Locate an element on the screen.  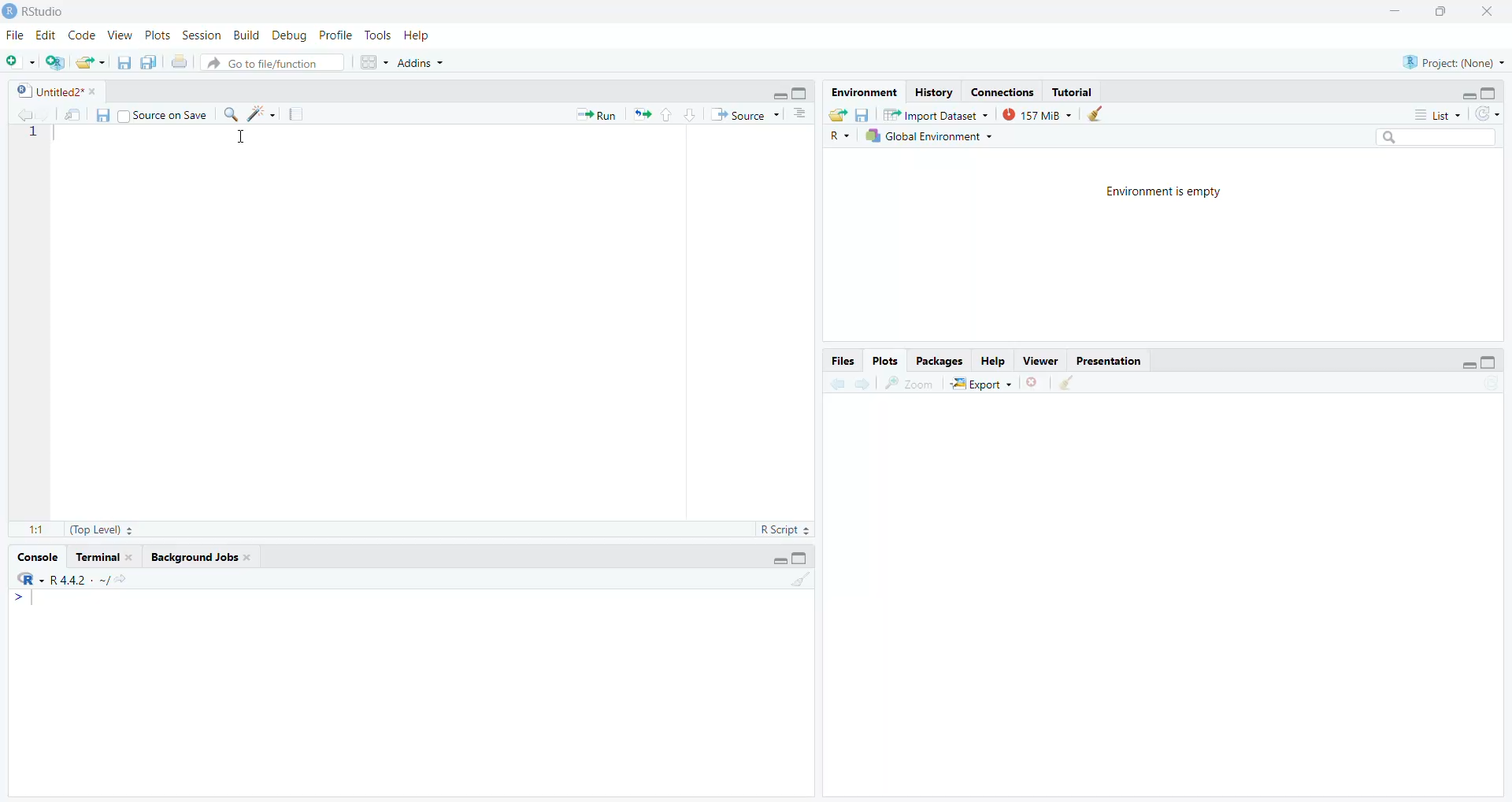
Help is located at coordinates (994, 360).